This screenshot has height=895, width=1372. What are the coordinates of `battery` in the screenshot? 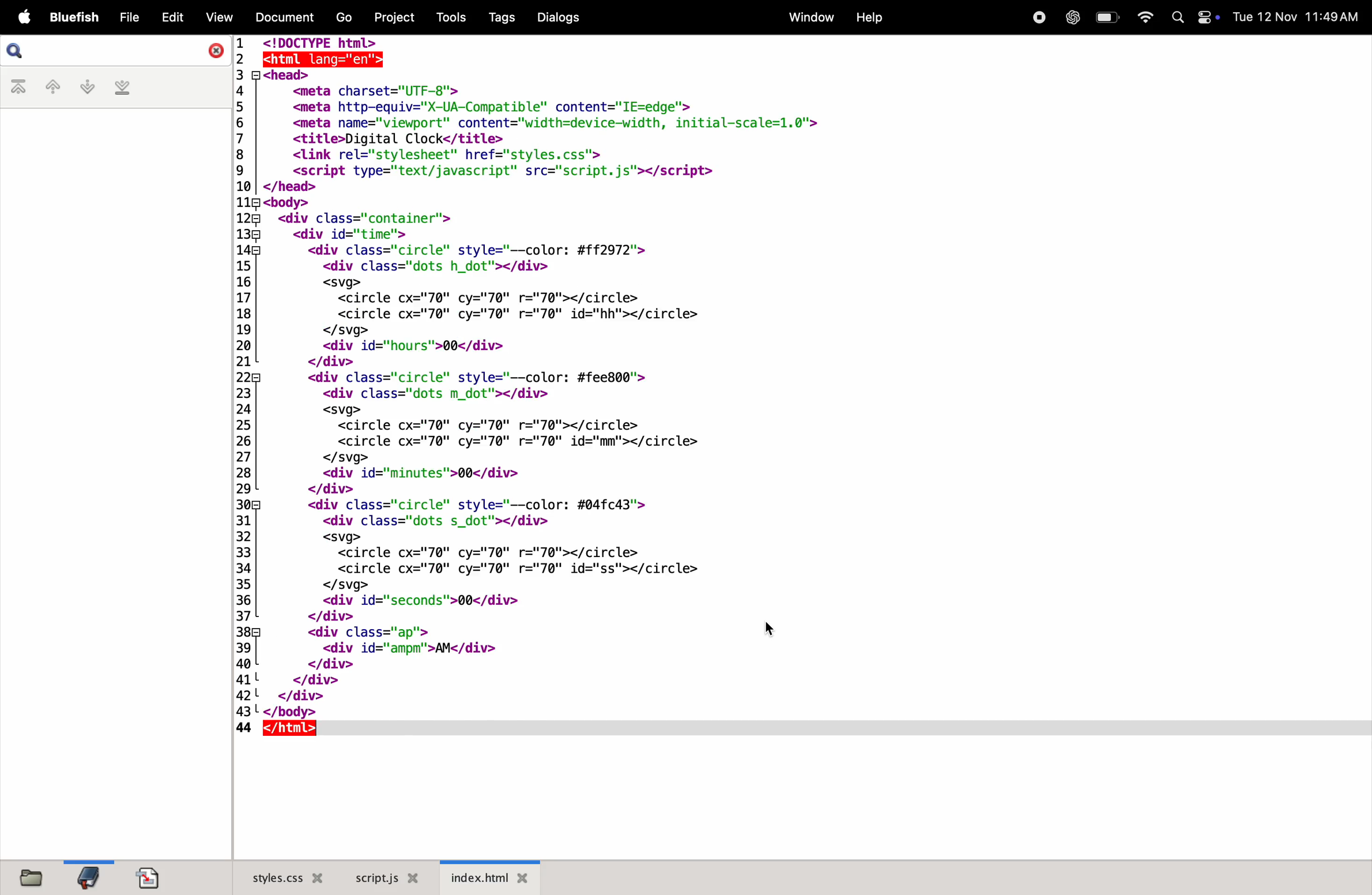 It's located at (1106, 17).